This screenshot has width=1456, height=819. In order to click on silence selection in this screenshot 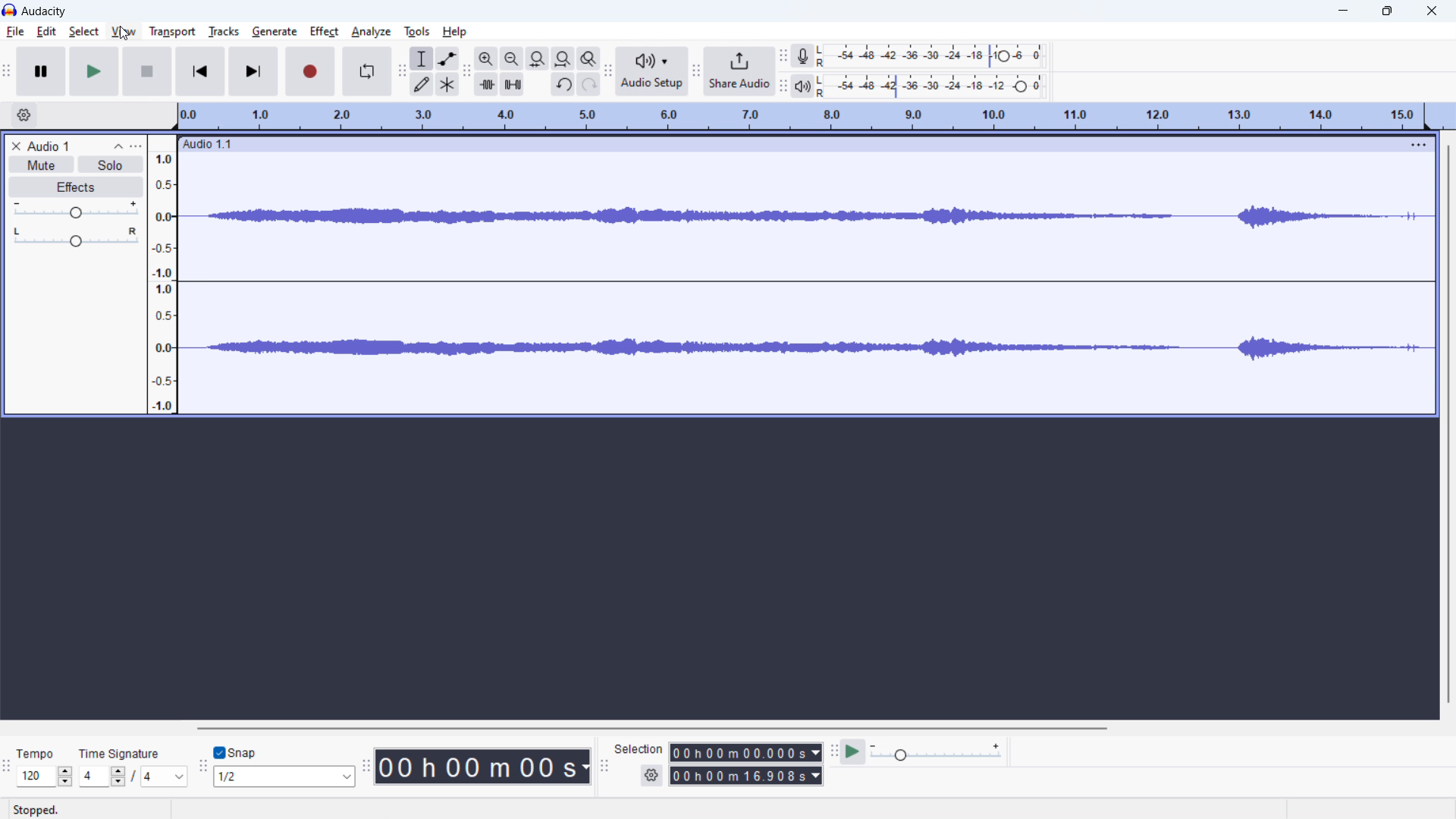, I will do `click(513, 83)`.